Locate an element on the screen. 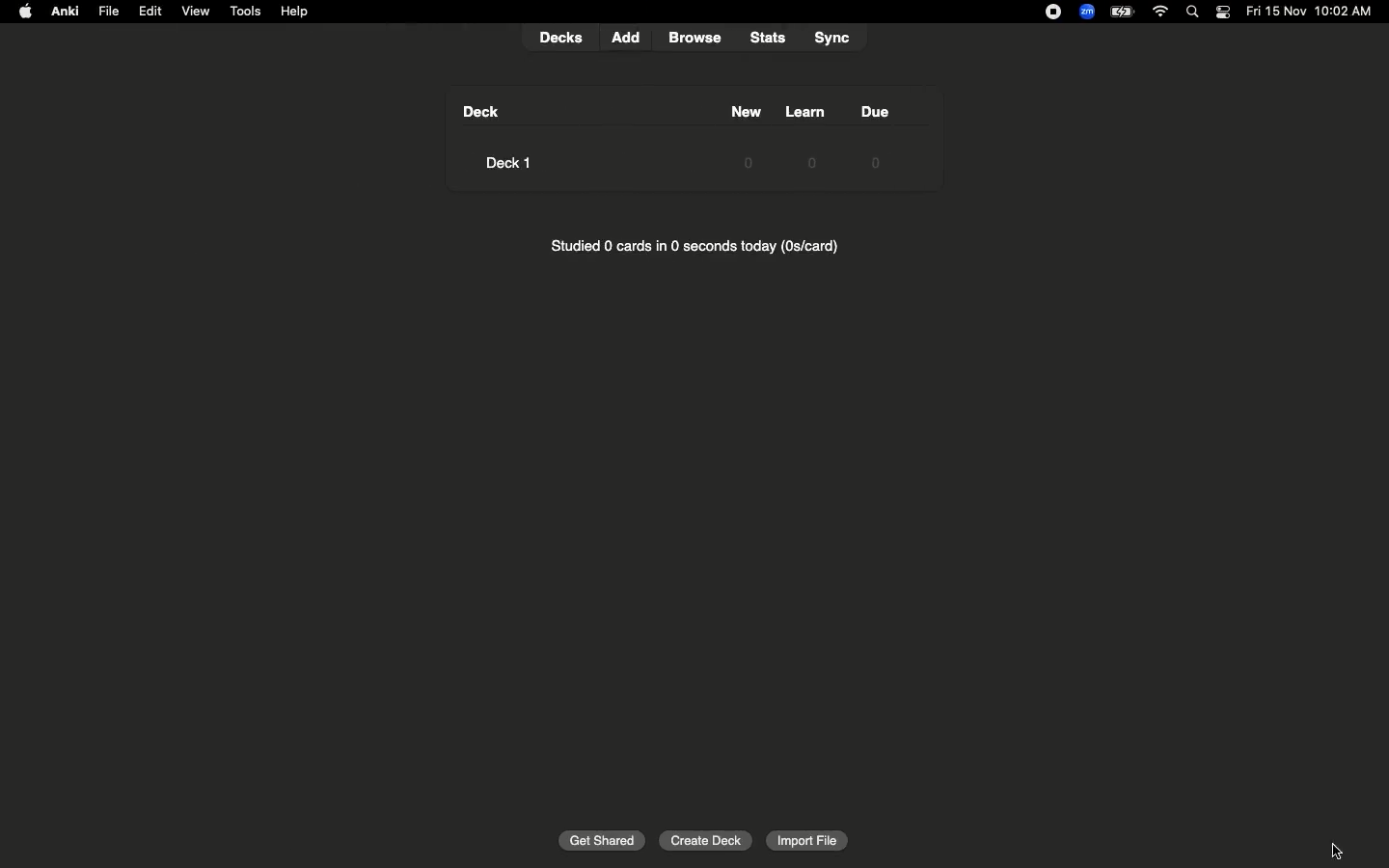  Deck is located at coordinates (480, 112).